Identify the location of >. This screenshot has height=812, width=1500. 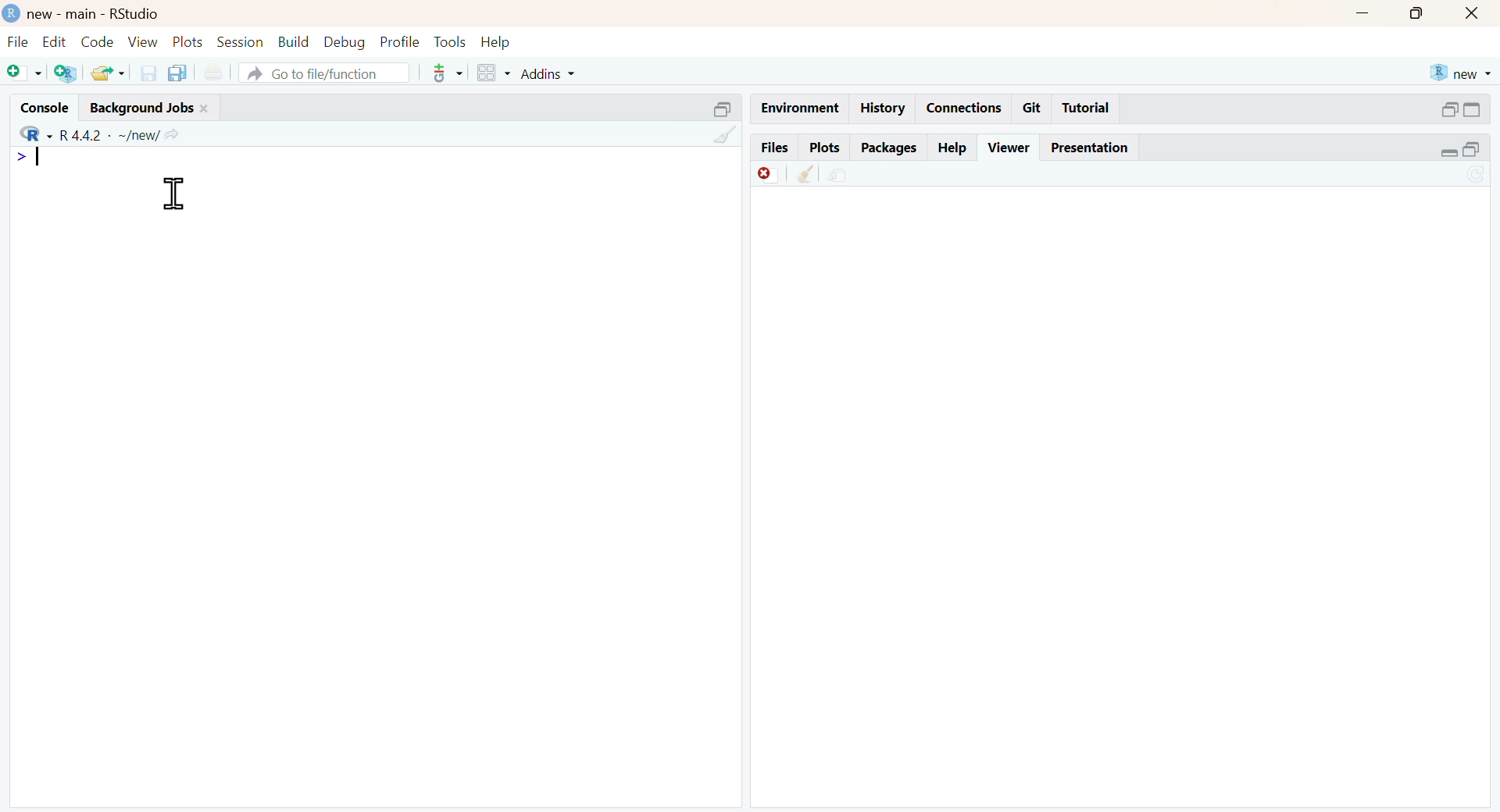
(21, 157).